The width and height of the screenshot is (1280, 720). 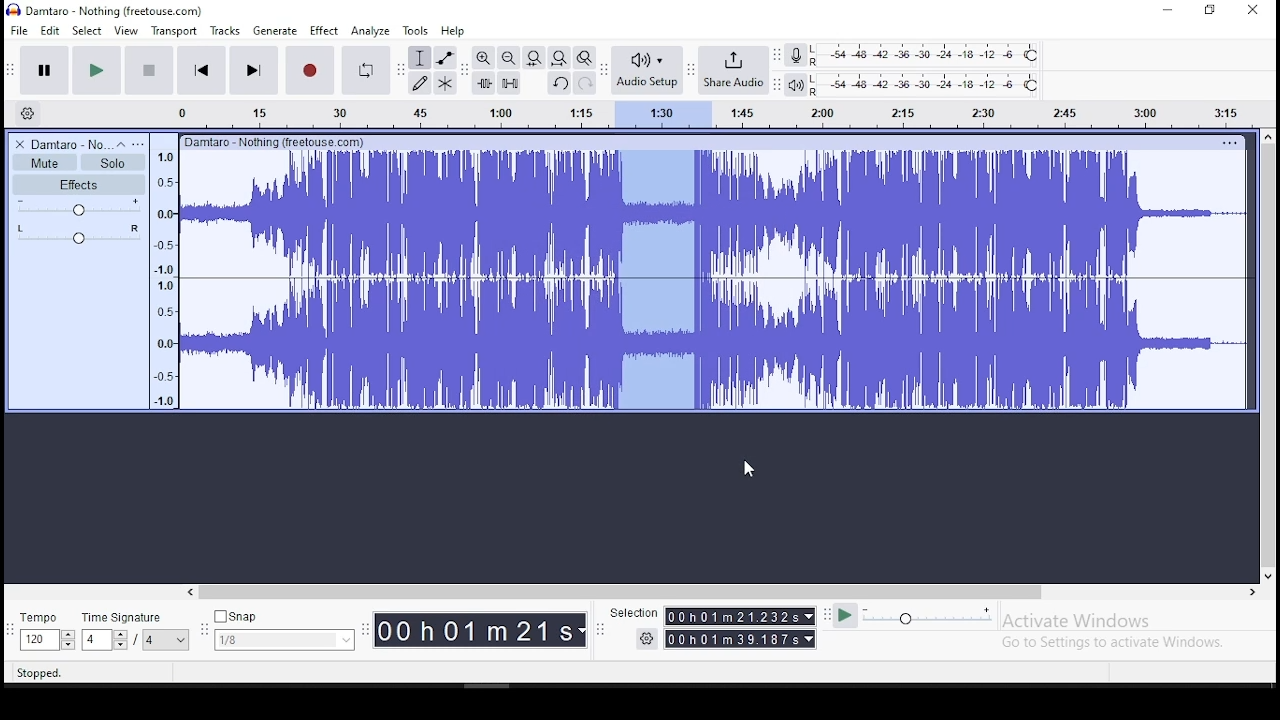 I want to click on volume, so click(x=80, y=207).